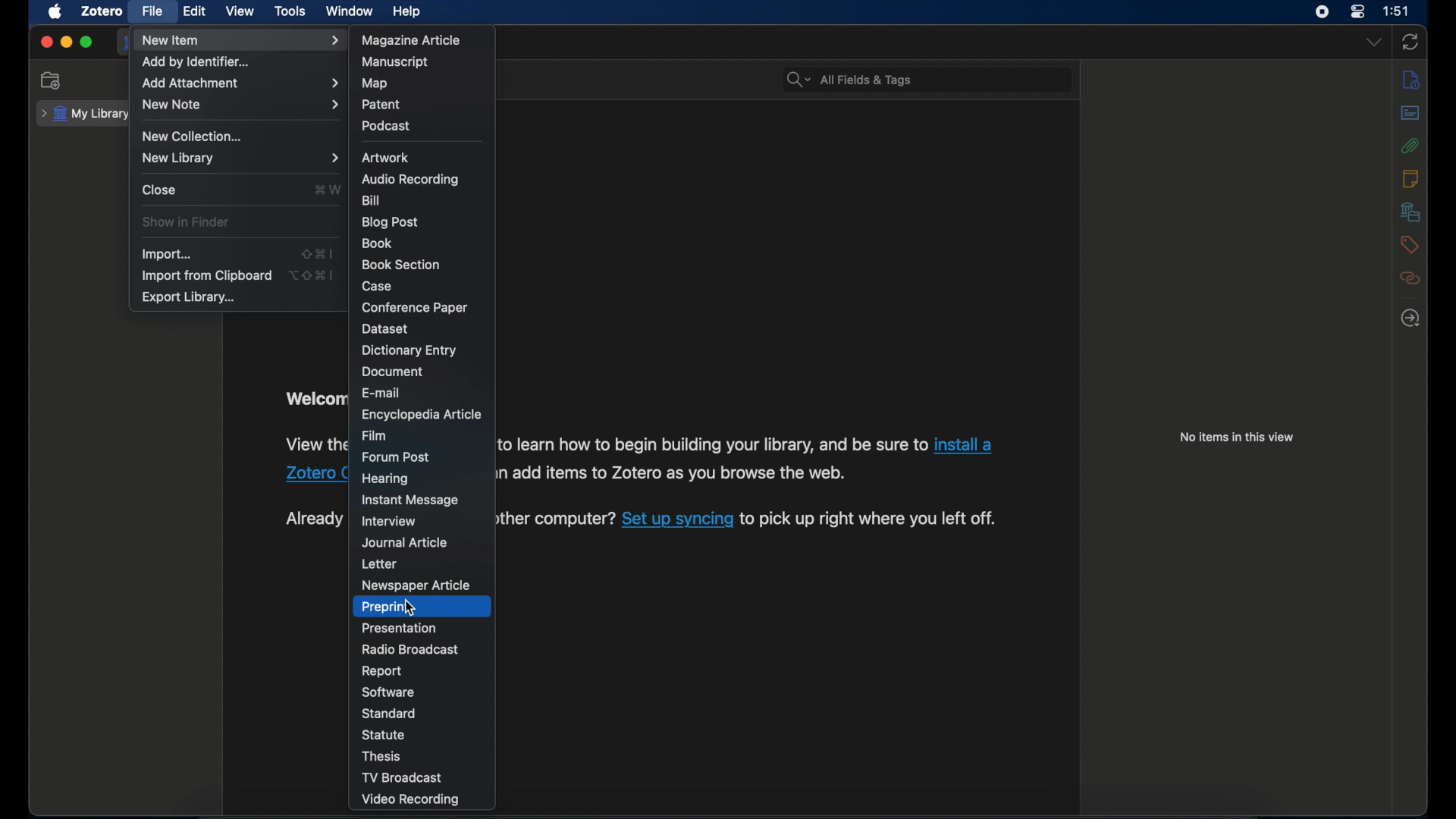 This screenshot has height=819, width=1456. Describe the element at coordinates (412, 607) in the screenshot. I see `cursor` at that location.